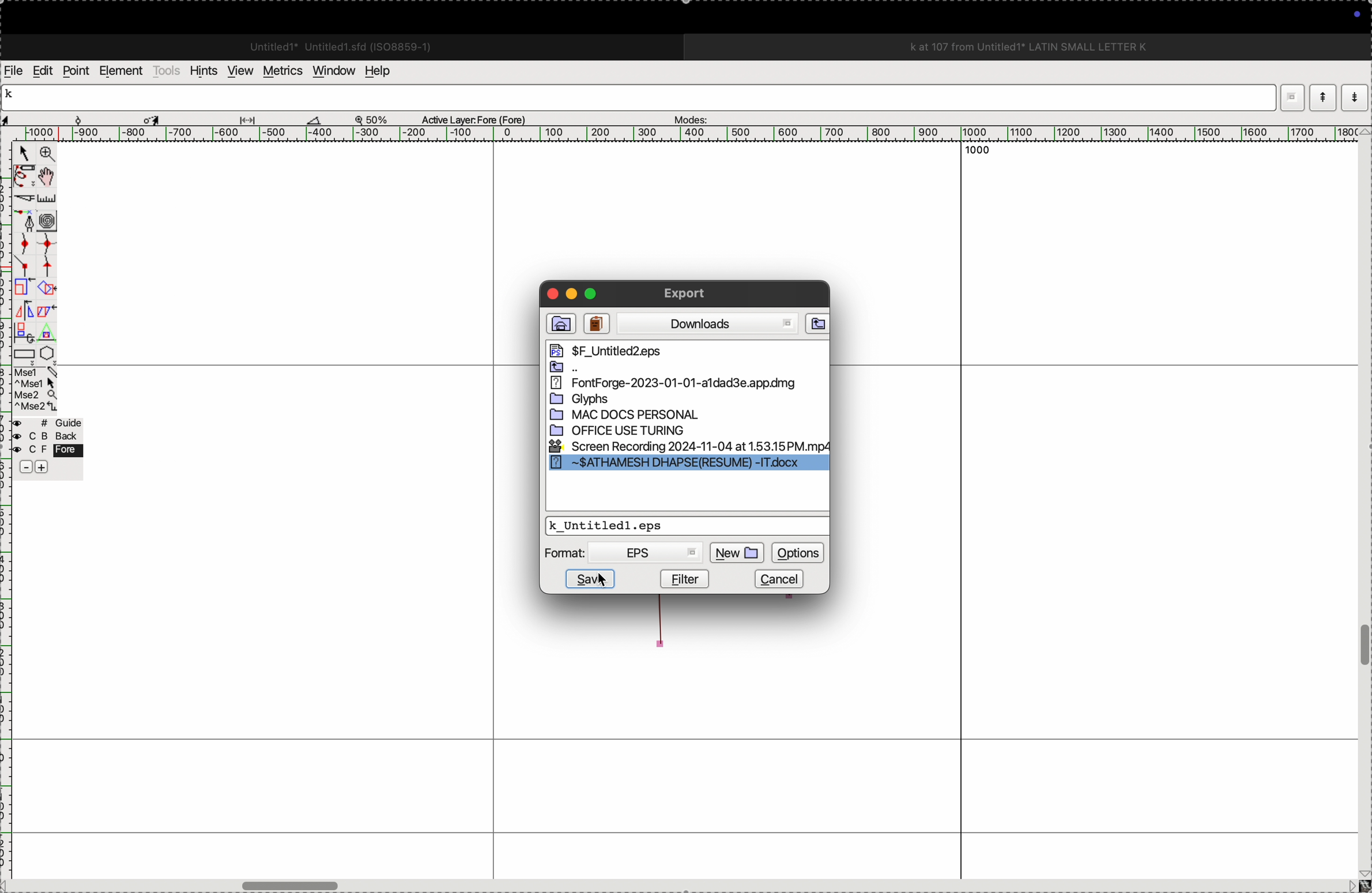 This screenshot has width=1372, height=893. What do you see at coordinates (817, 324) in the screenshot?
I see `save` at bounding box center [817, 324].